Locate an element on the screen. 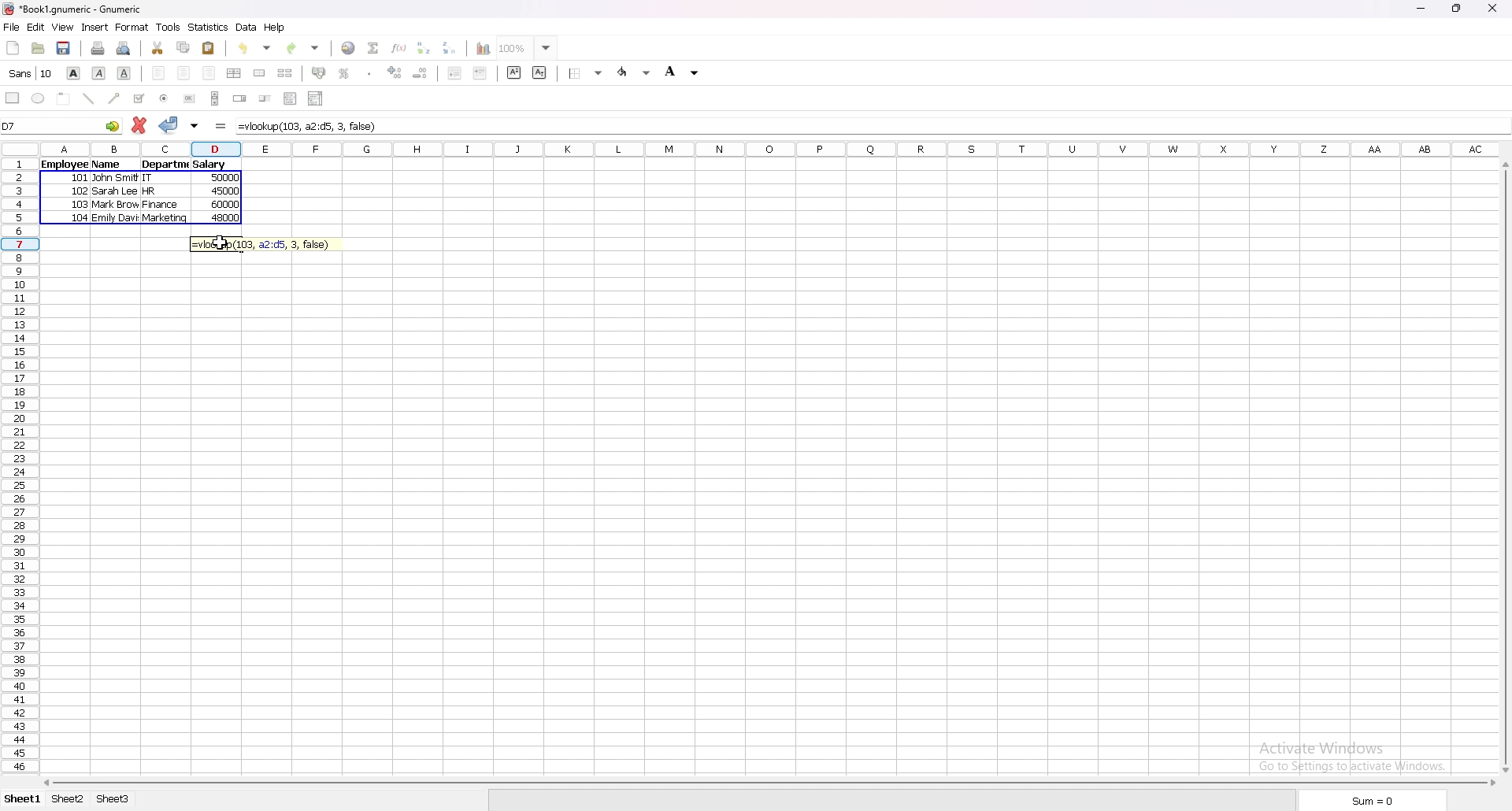 The width and height of the screenshot is (1512, 811). cursor is located at coordinates (218, 243).